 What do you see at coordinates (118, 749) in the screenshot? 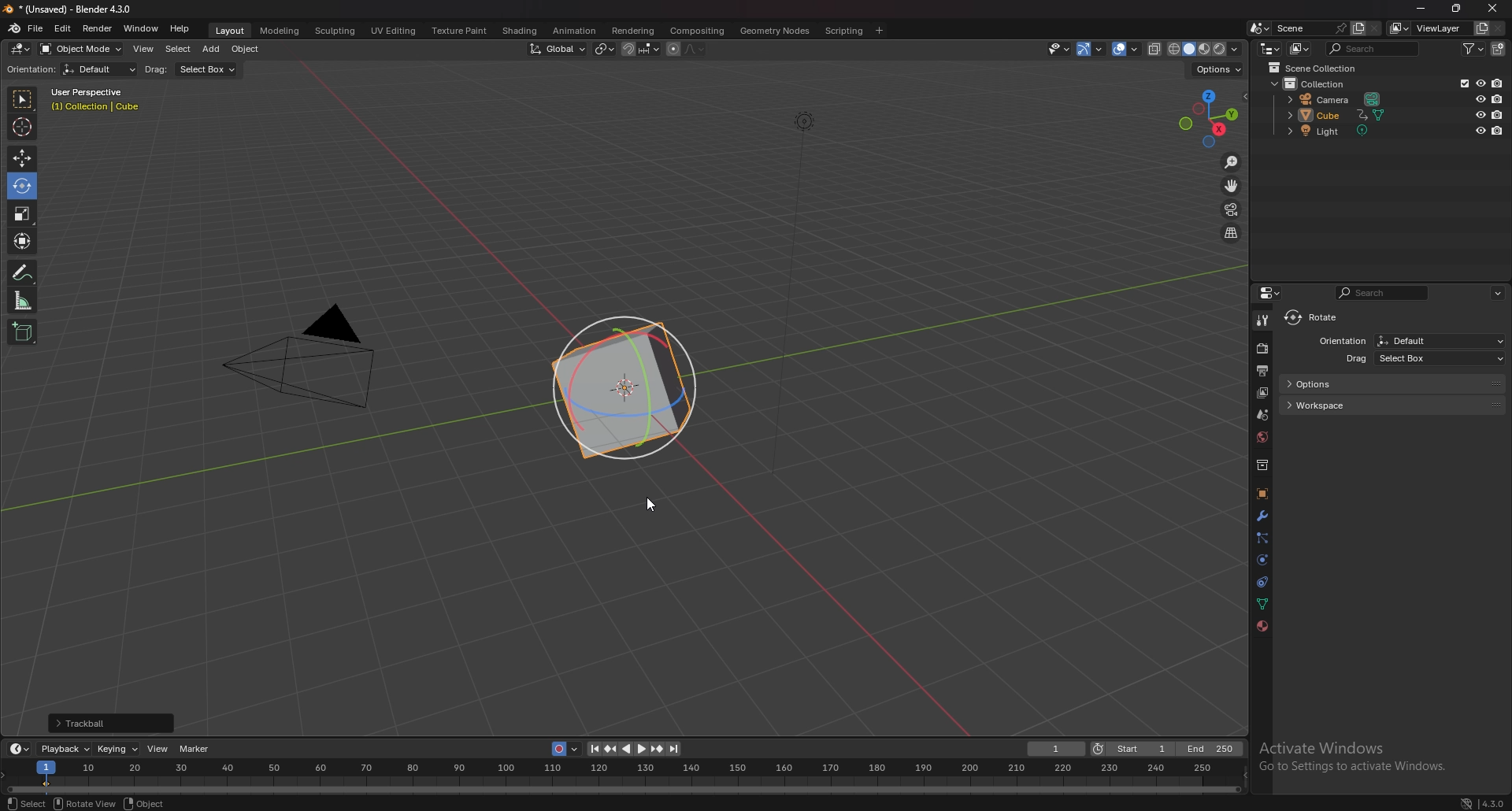
I see `keying` at bounding box center [118, 749].